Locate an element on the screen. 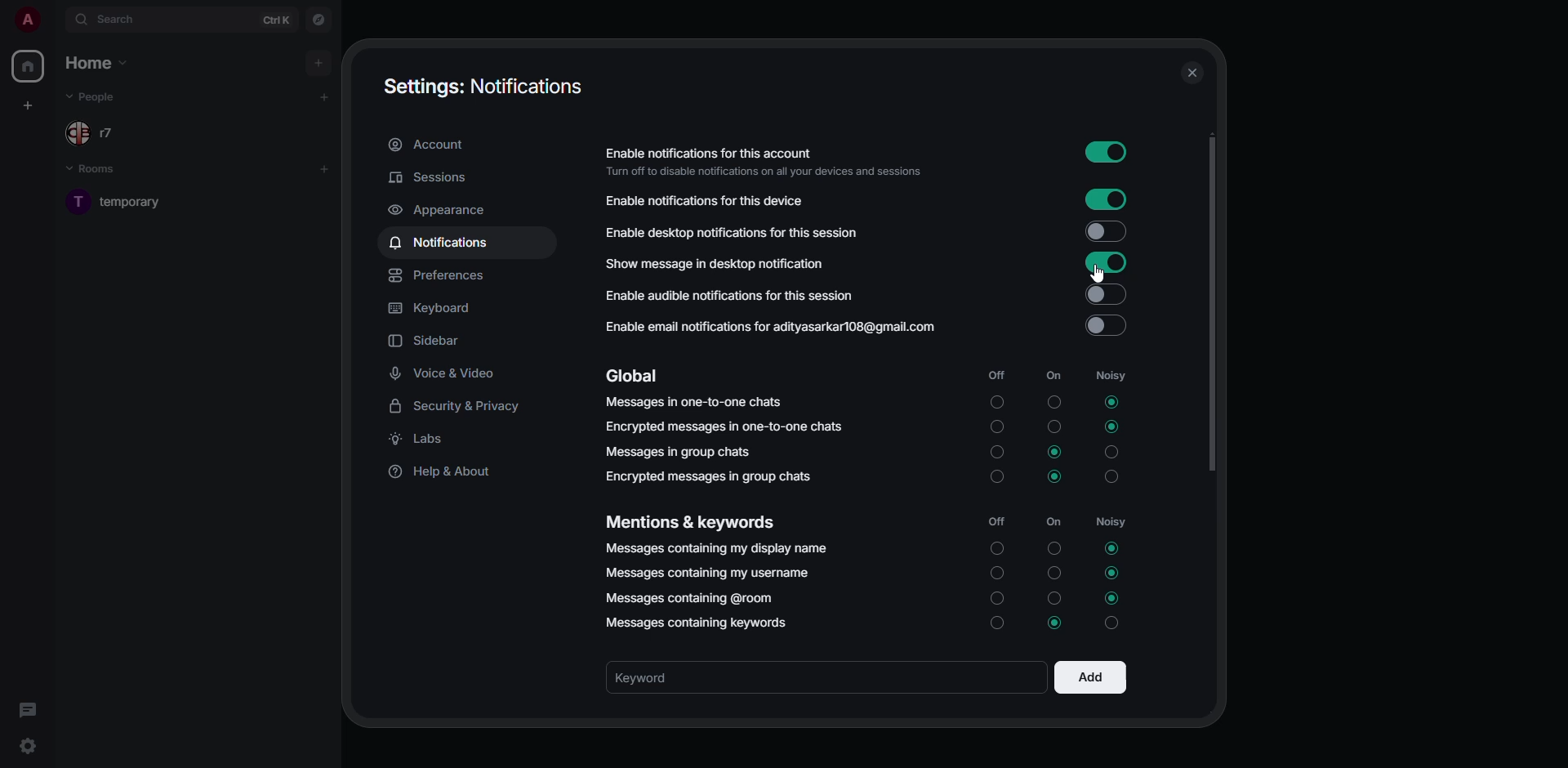 The image size is (1568, 768). selected is located at coordinates (1058, 625).